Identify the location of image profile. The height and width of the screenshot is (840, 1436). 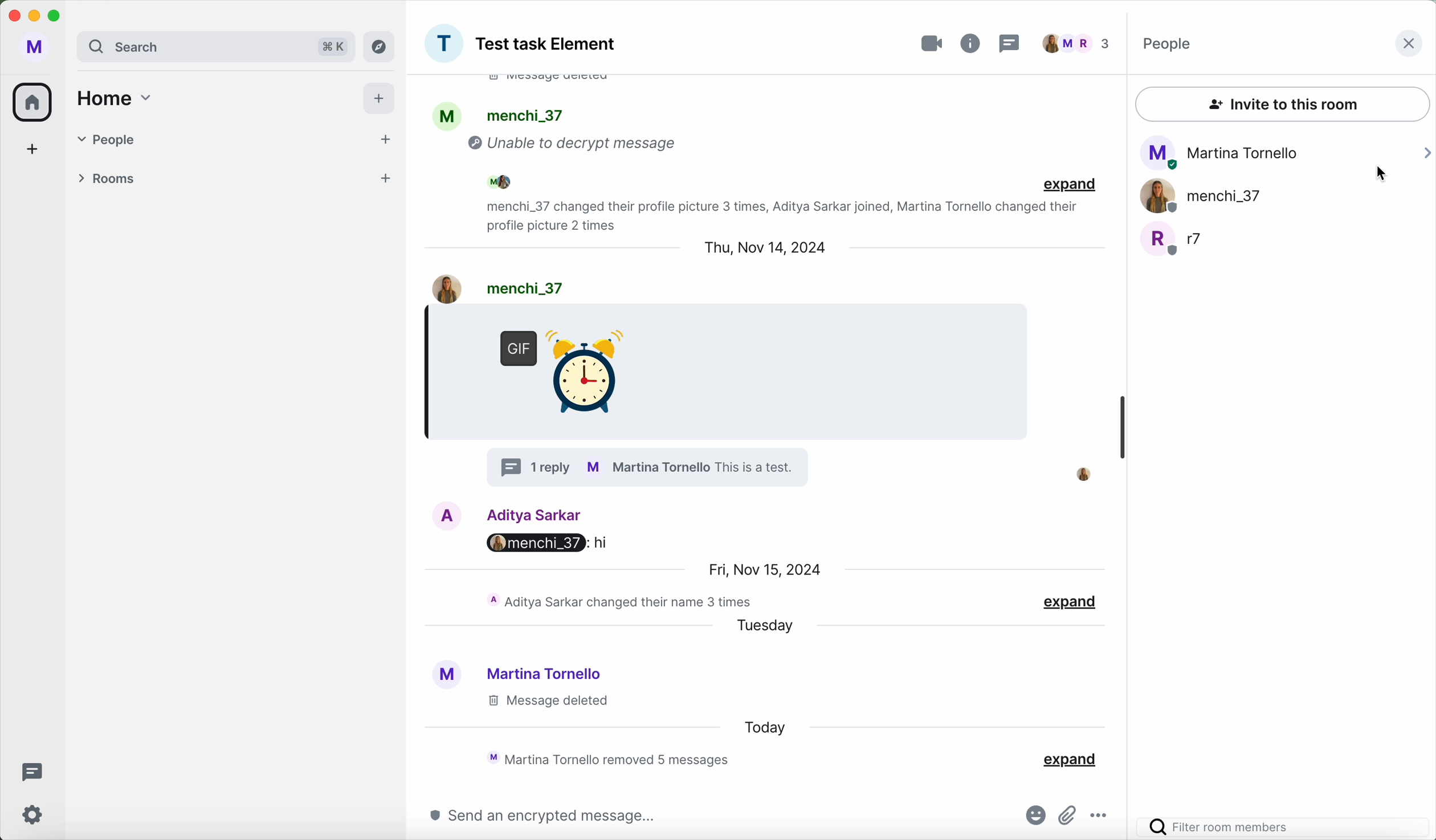
(437, 287).